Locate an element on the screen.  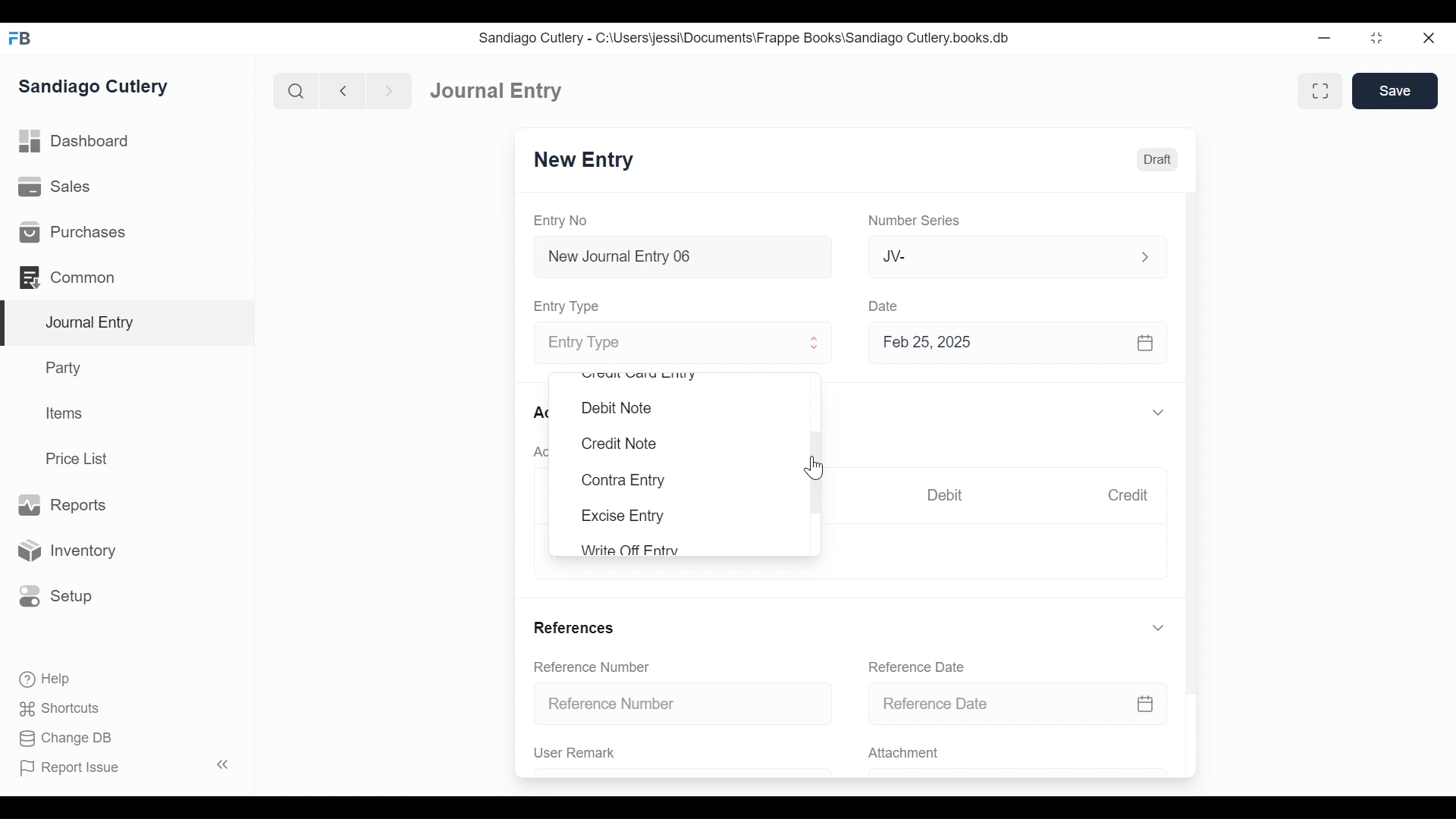
Change DB is located at coordinates (68, 740).